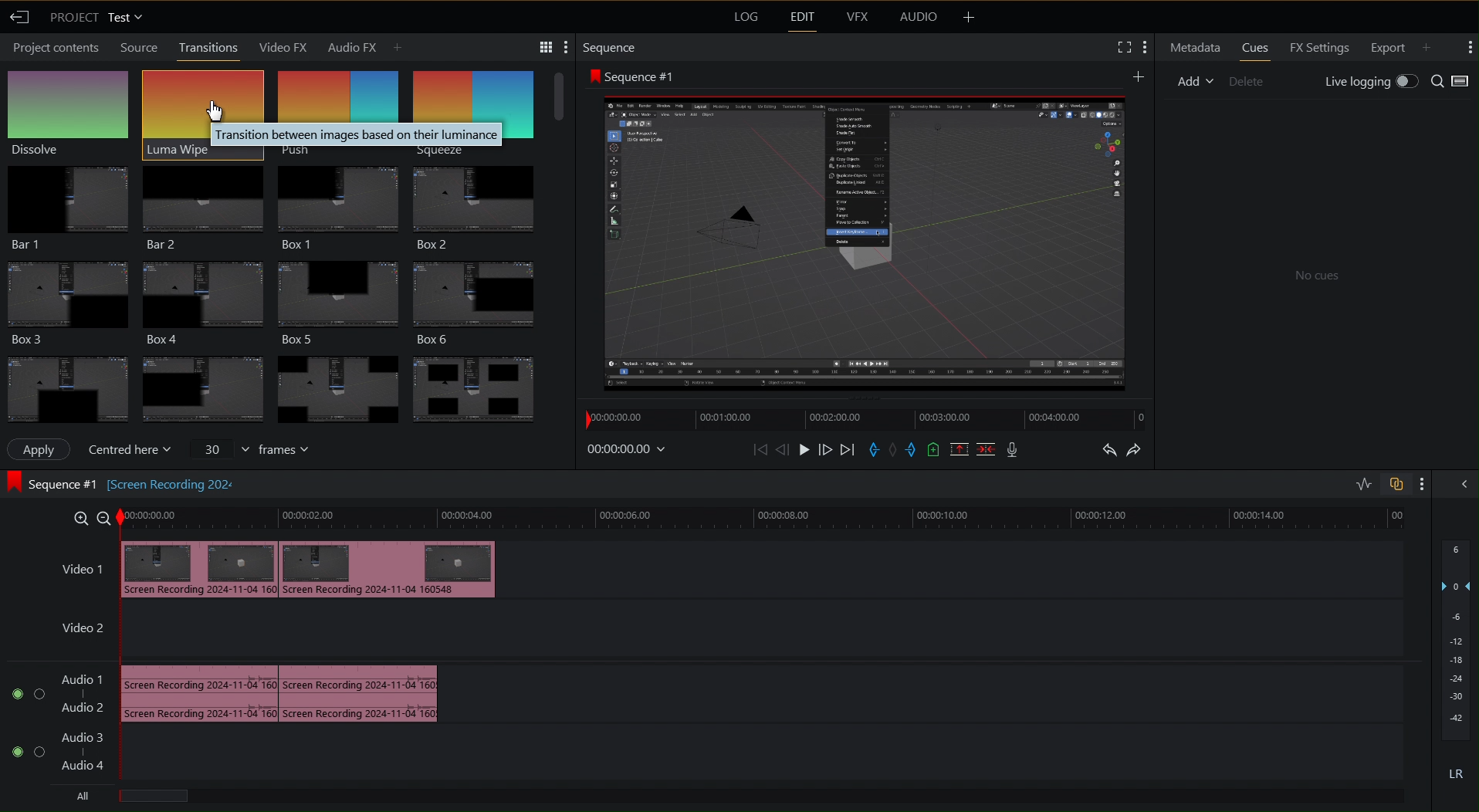 The height and width of the screenshot is (812, 1479). Describe the element at coordinates (1388, 48) in the screenshot. I see `Export` at that location.